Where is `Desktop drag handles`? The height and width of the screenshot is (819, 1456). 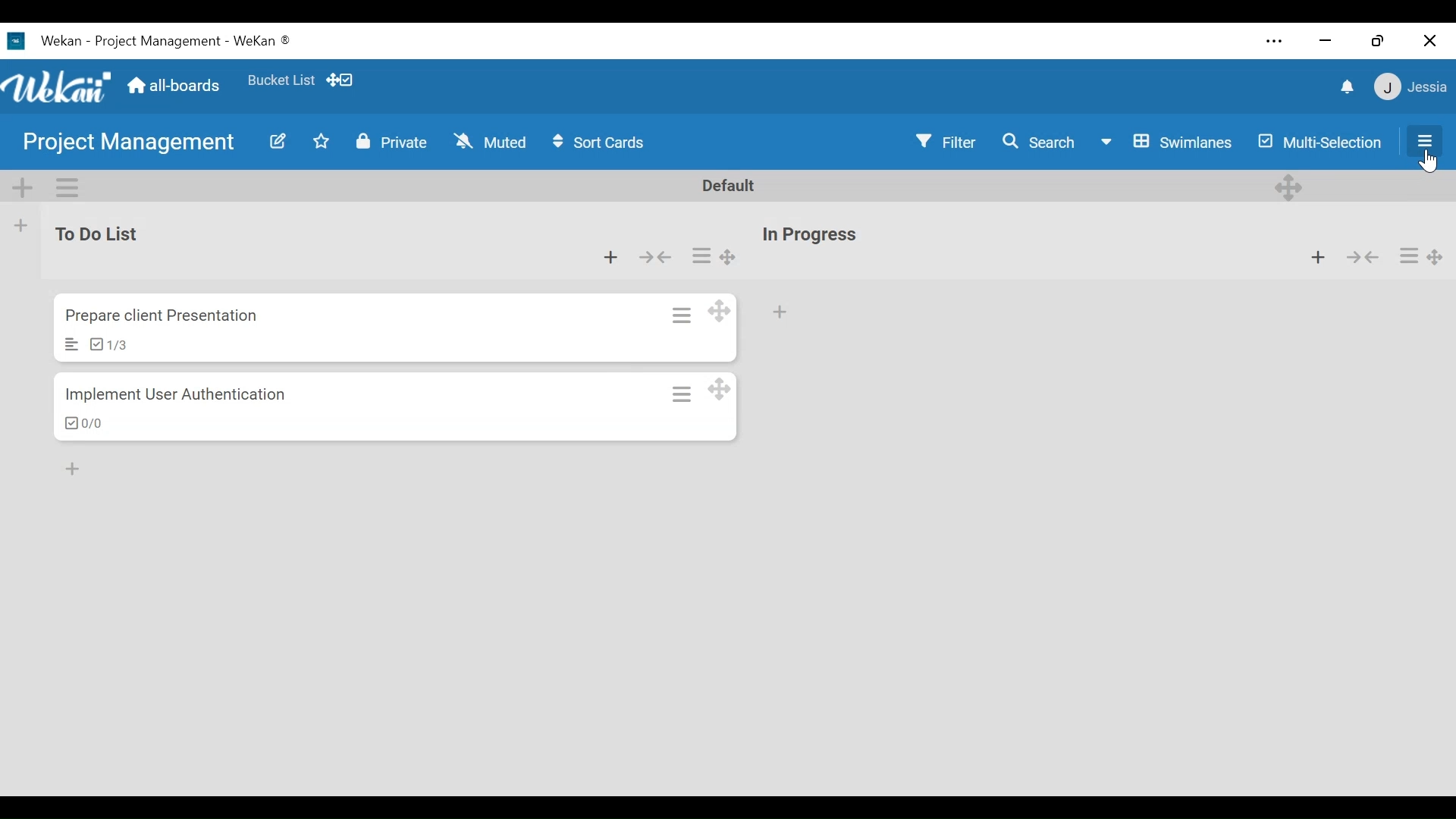 Desktop drag handles is located at coordinates (730, 257).